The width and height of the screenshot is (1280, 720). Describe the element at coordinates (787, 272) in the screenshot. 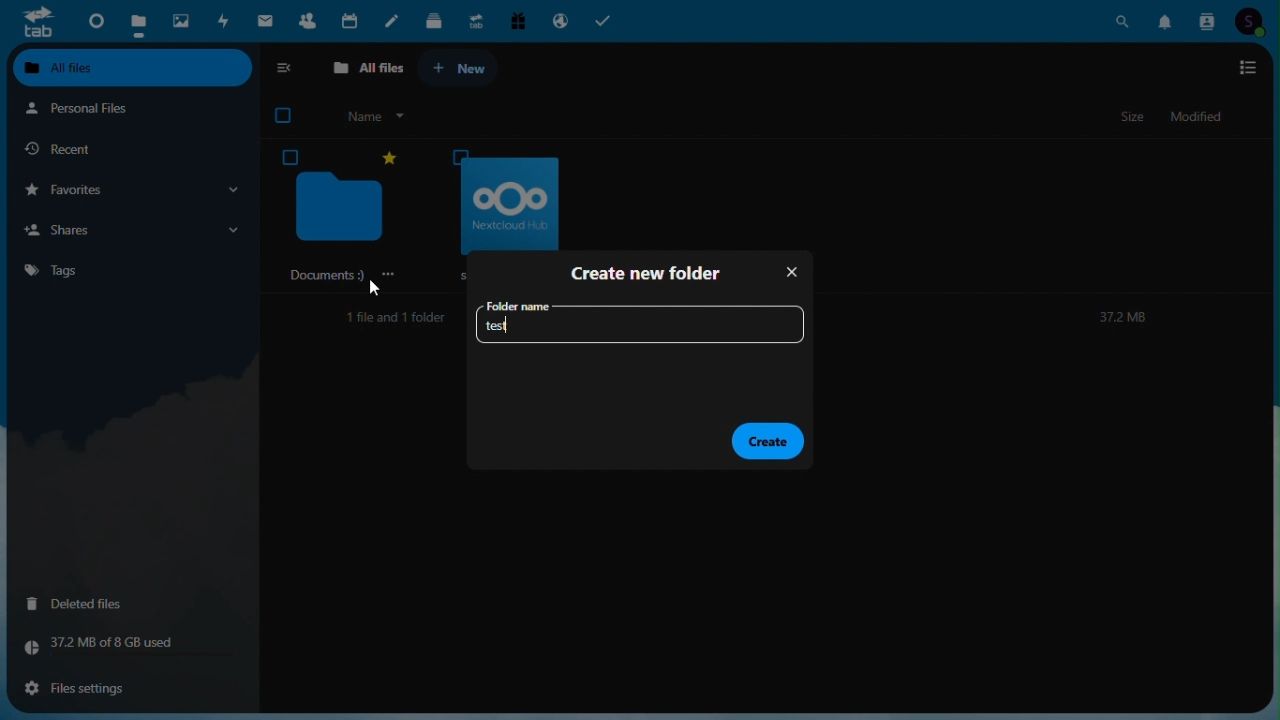

I see `Close` at that location.